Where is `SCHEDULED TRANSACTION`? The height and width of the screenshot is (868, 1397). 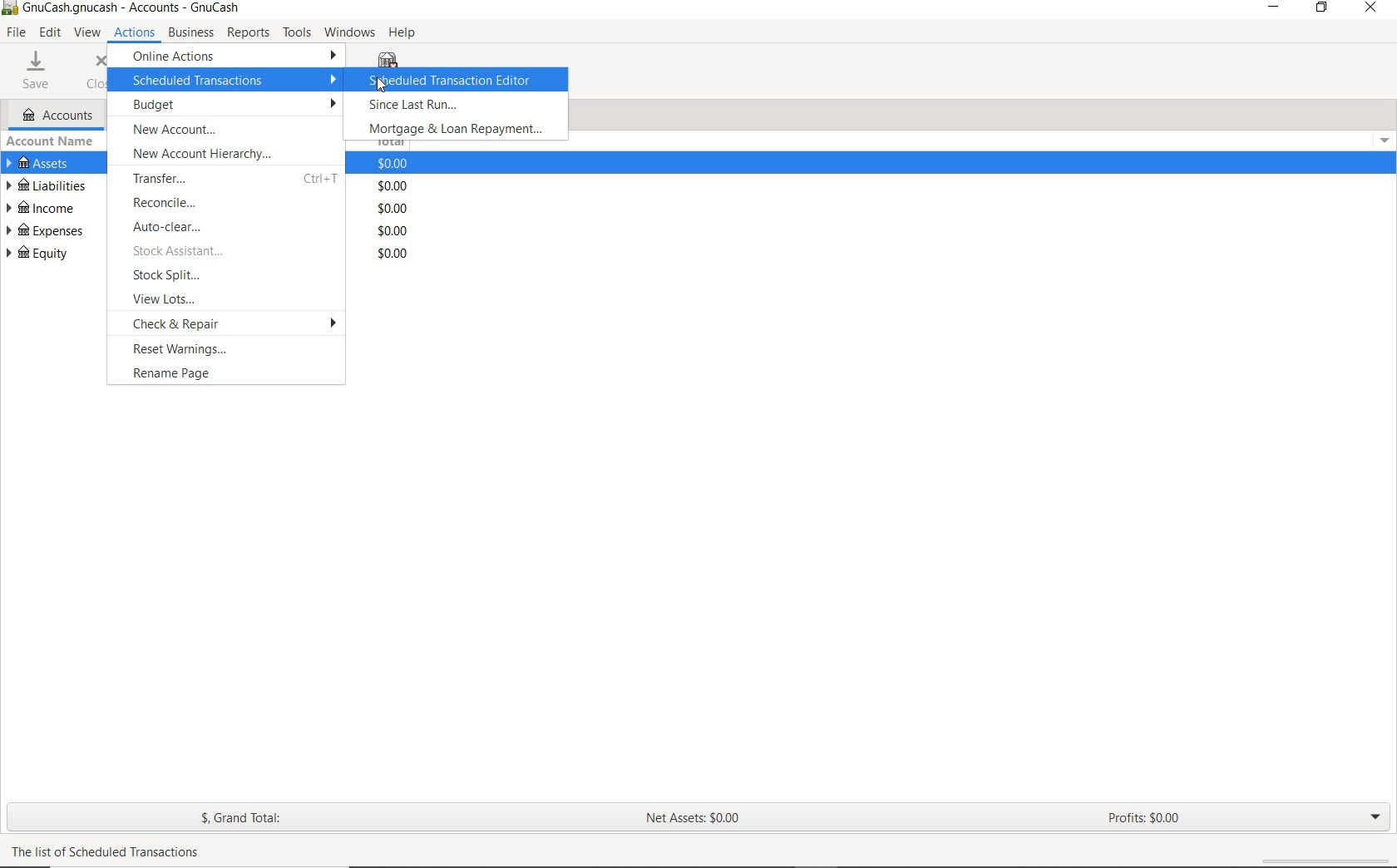
SCHEDULED TRANSACTION is located at coordinates (234, 81).